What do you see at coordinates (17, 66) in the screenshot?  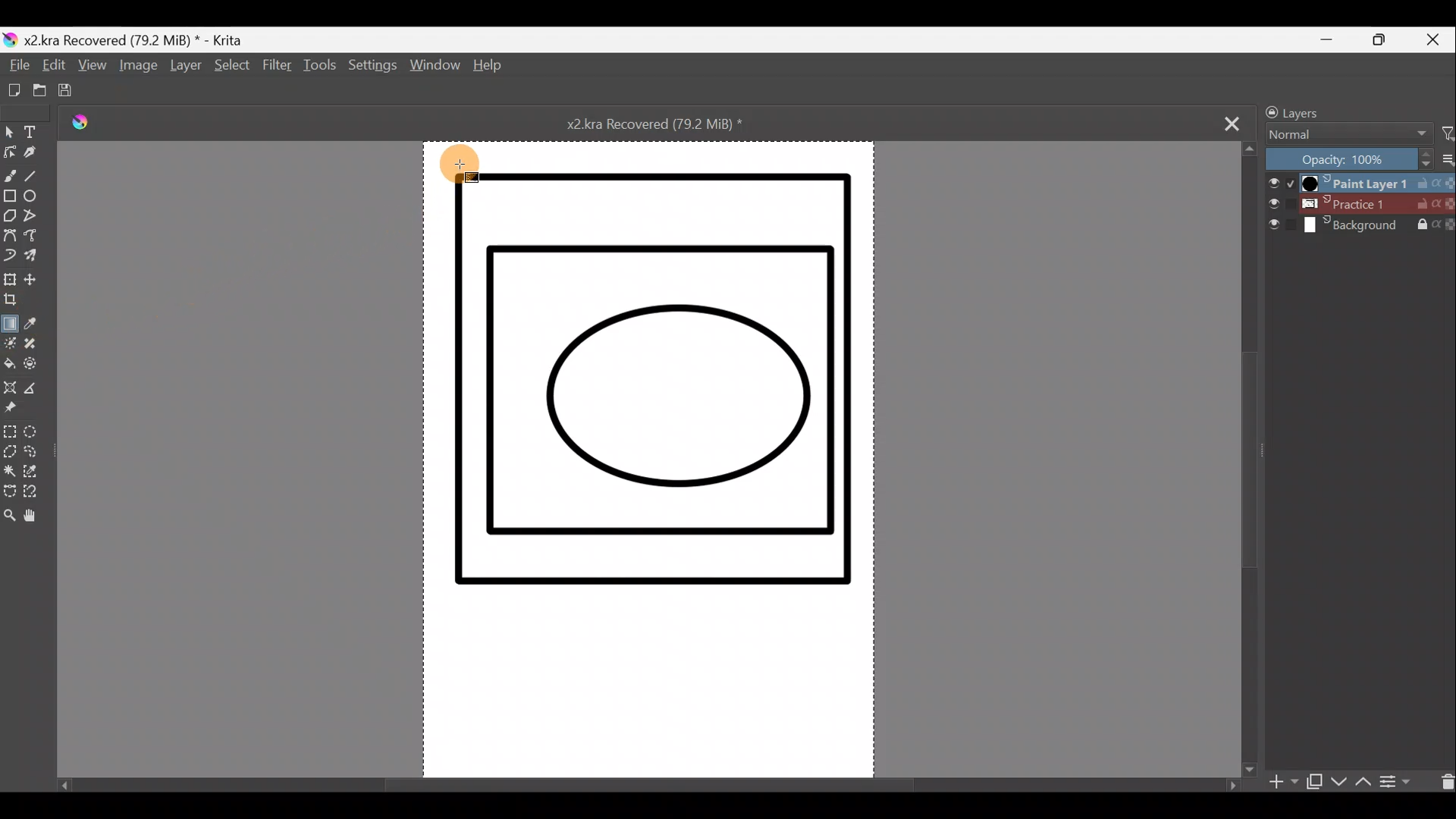 I see `File` at bounding box center [17, 66].